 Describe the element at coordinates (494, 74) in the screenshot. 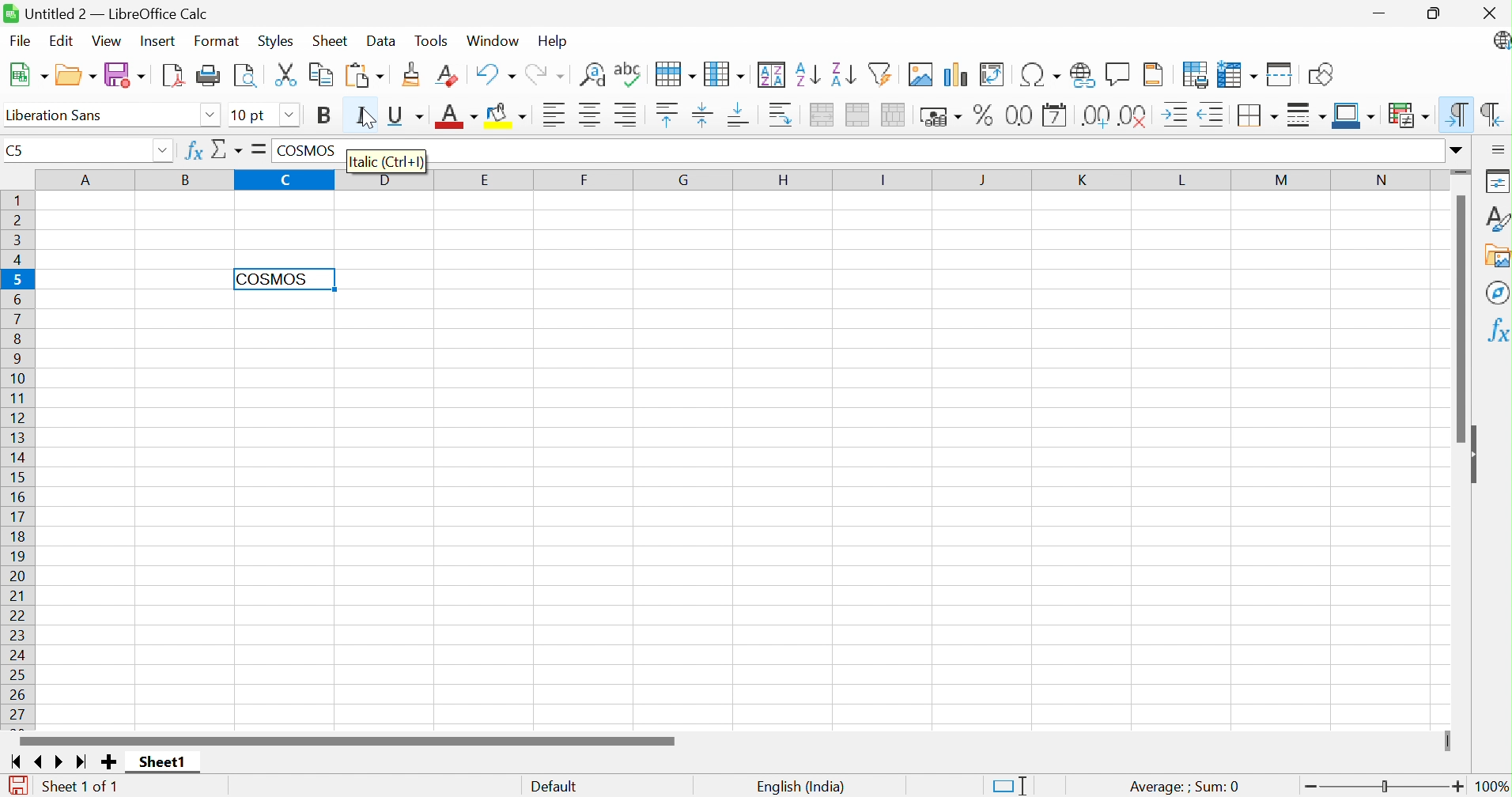

I see `Undo` at that location.